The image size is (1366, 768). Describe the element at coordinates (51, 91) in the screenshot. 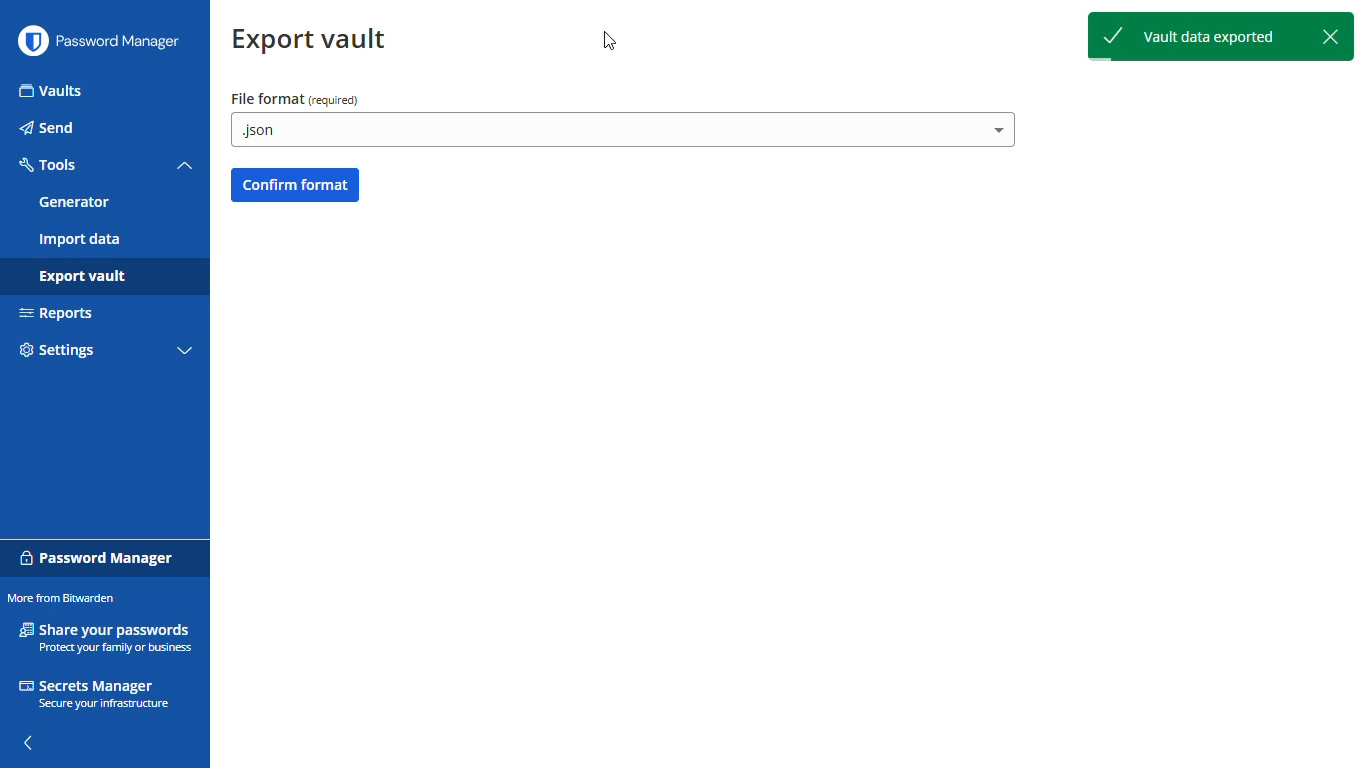

I see `vaults` at that location.